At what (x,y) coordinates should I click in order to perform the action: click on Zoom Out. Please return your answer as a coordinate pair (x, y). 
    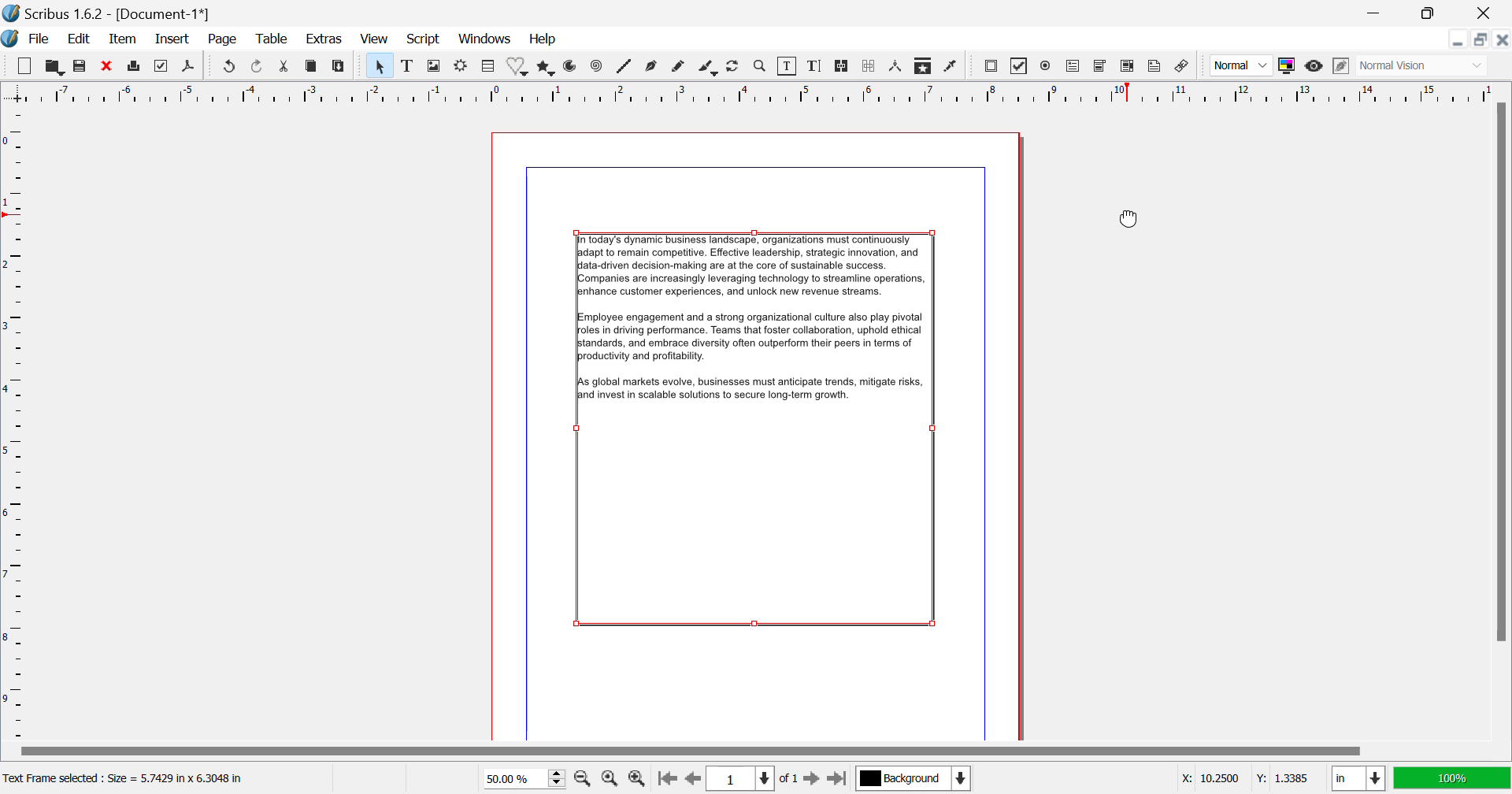
    Looking at the image, I should click on (583, 777).